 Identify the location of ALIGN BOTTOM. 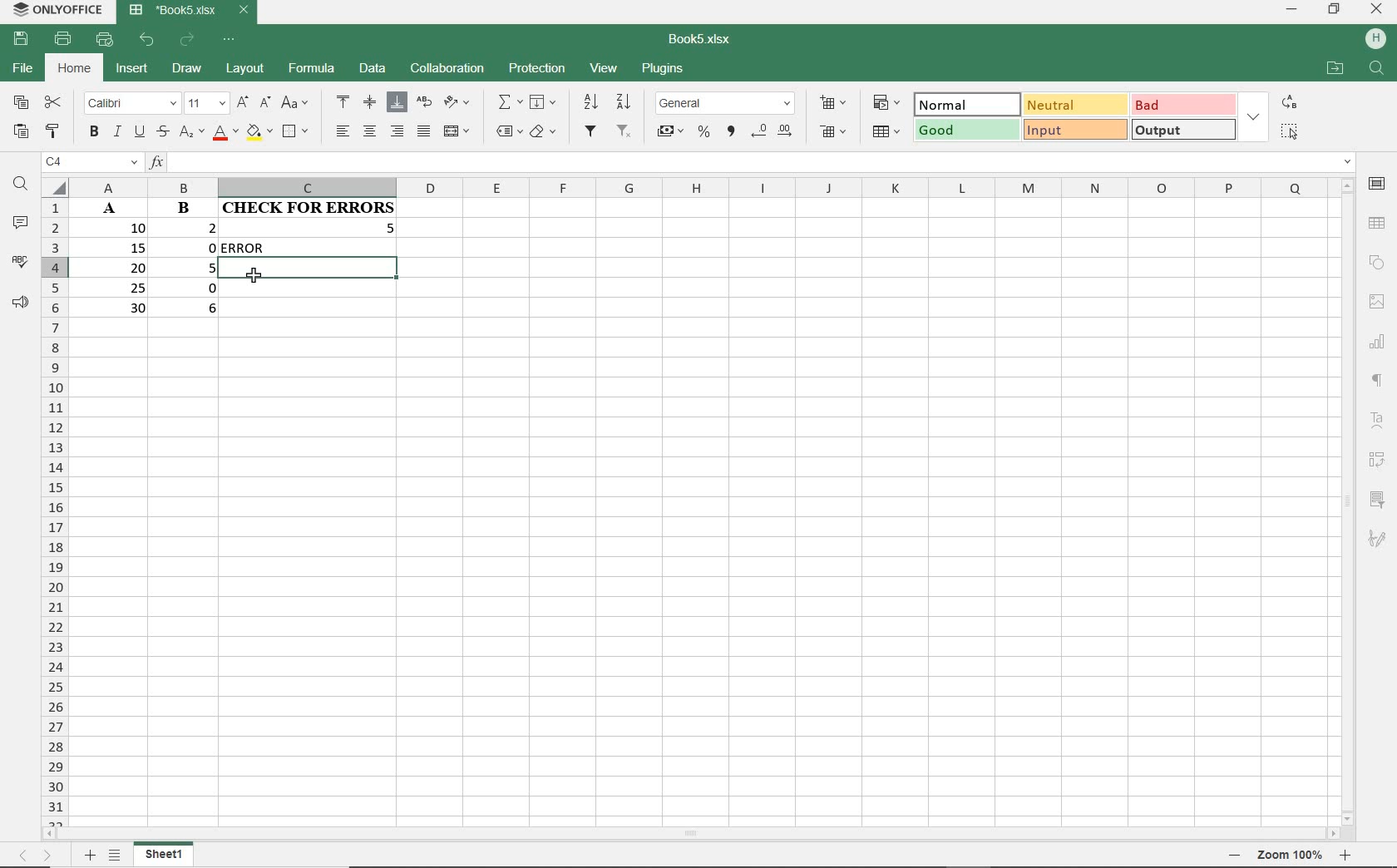
(397, 103).